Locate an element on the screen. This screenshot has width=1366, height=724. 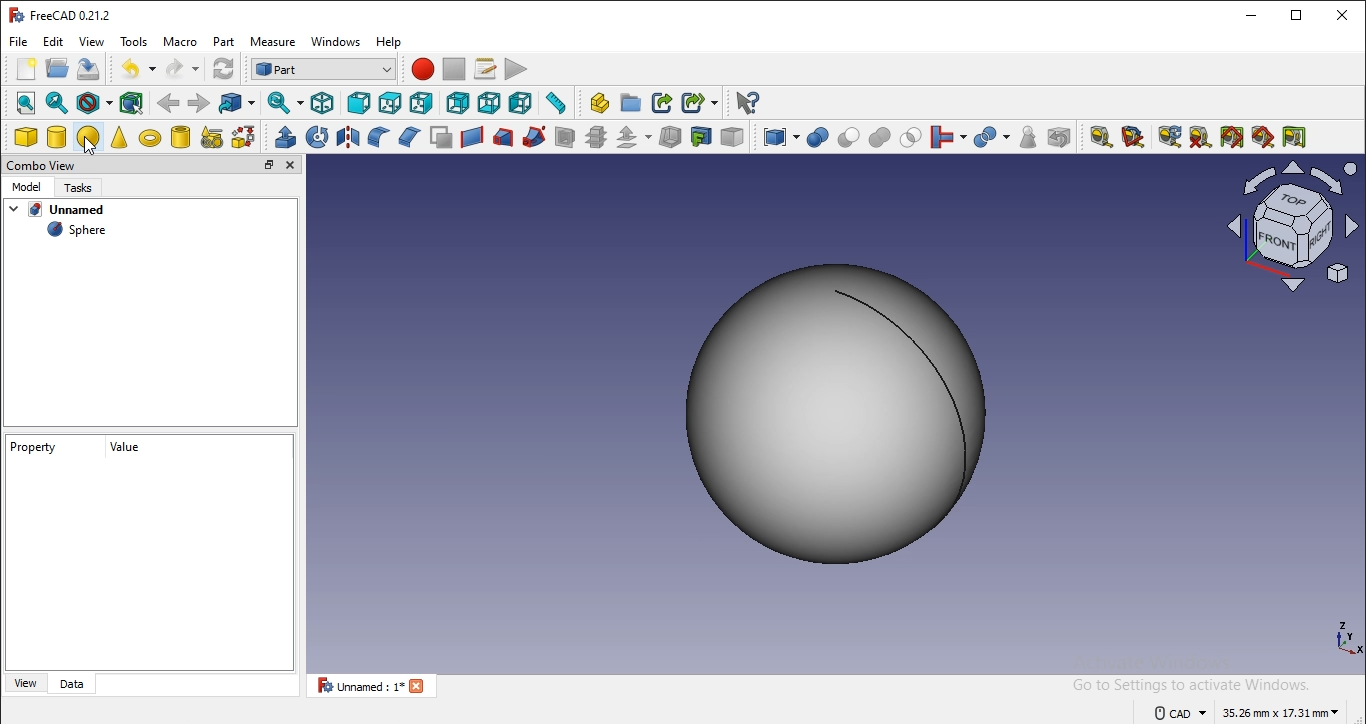
cursor is located at coordinates (90, 149).